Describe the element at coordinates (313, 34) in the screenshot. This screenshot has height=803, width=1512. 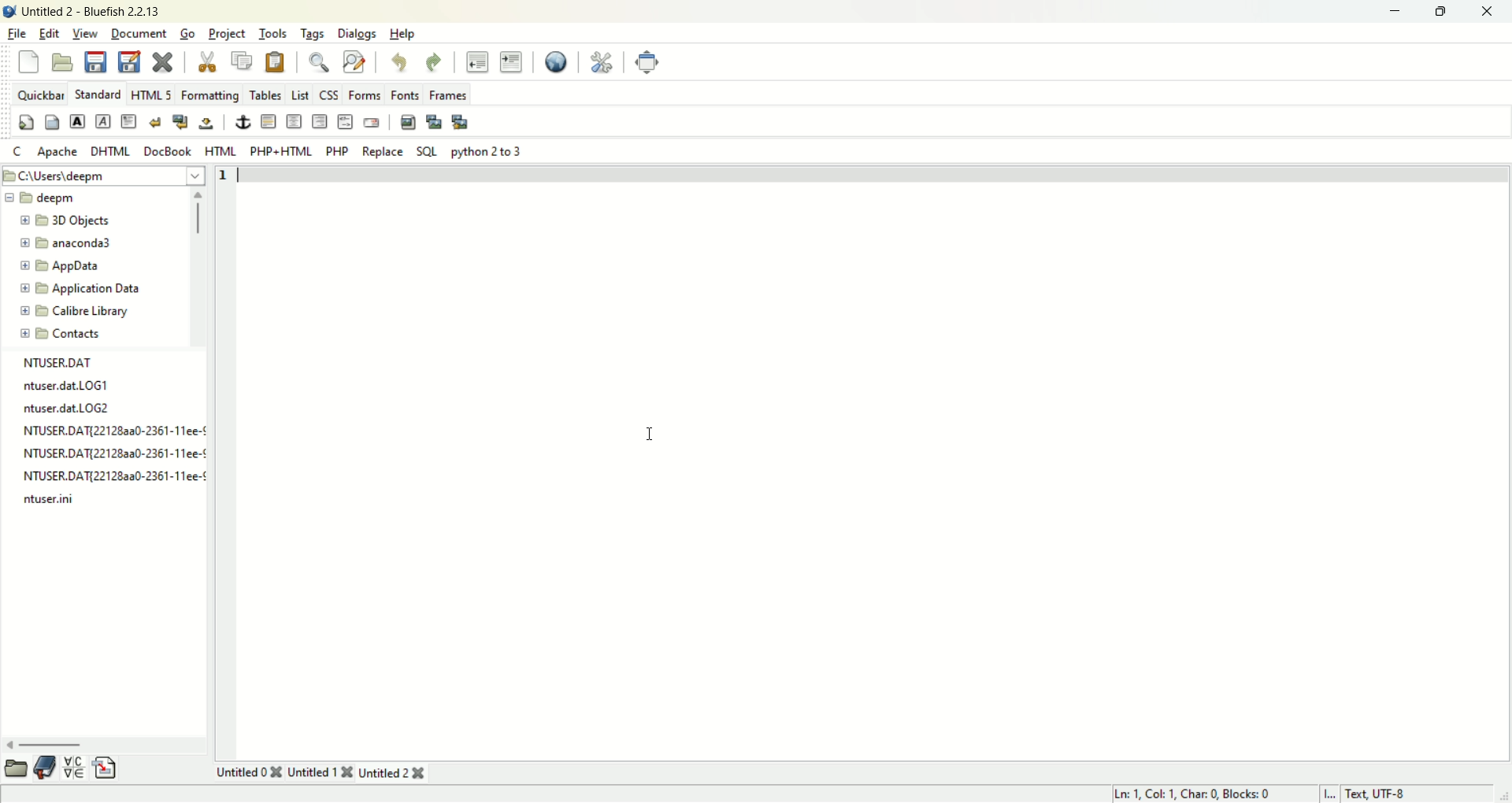
I see `tags` at that location.